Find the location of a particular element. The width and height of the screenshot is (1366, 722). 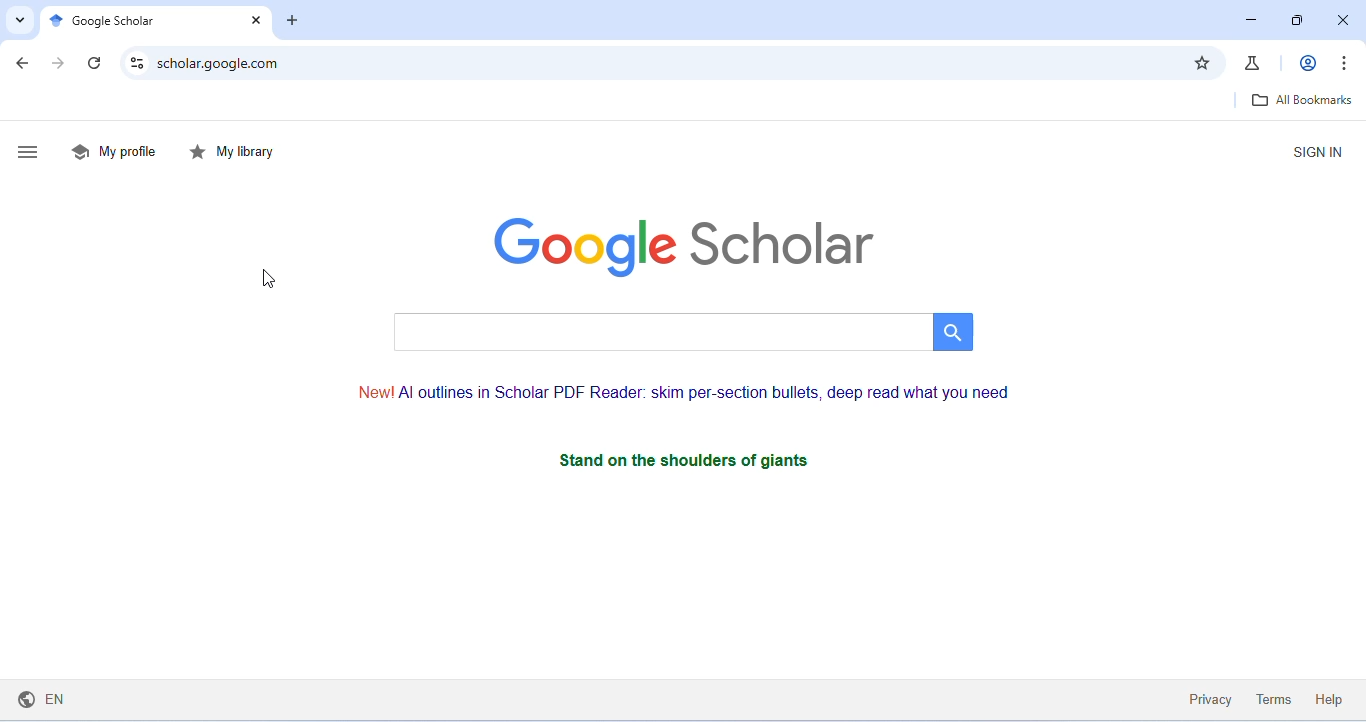

close is located at coordinates (1342, 21).